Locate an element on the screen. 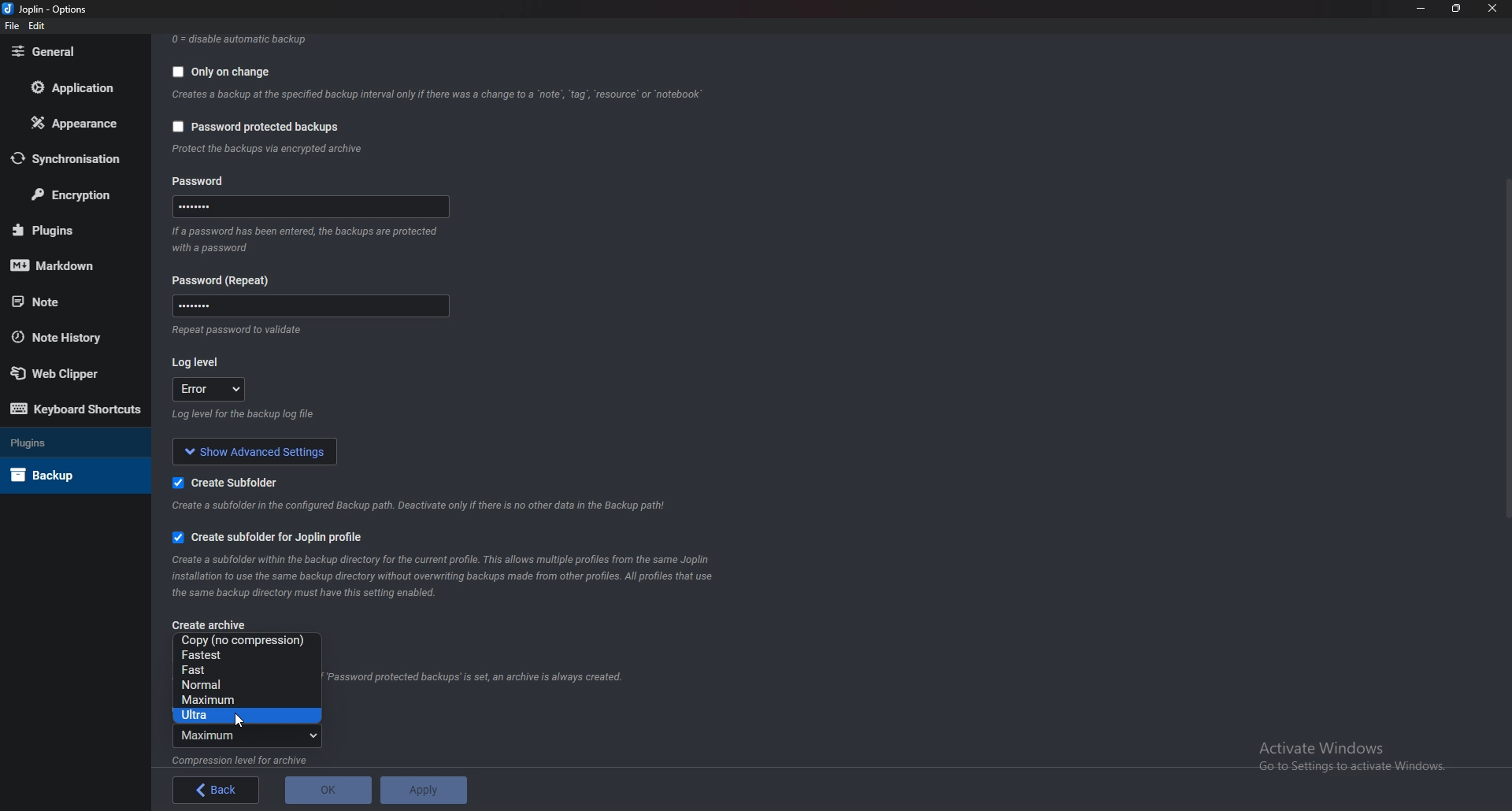  Info is located at coordinates (239, 332).